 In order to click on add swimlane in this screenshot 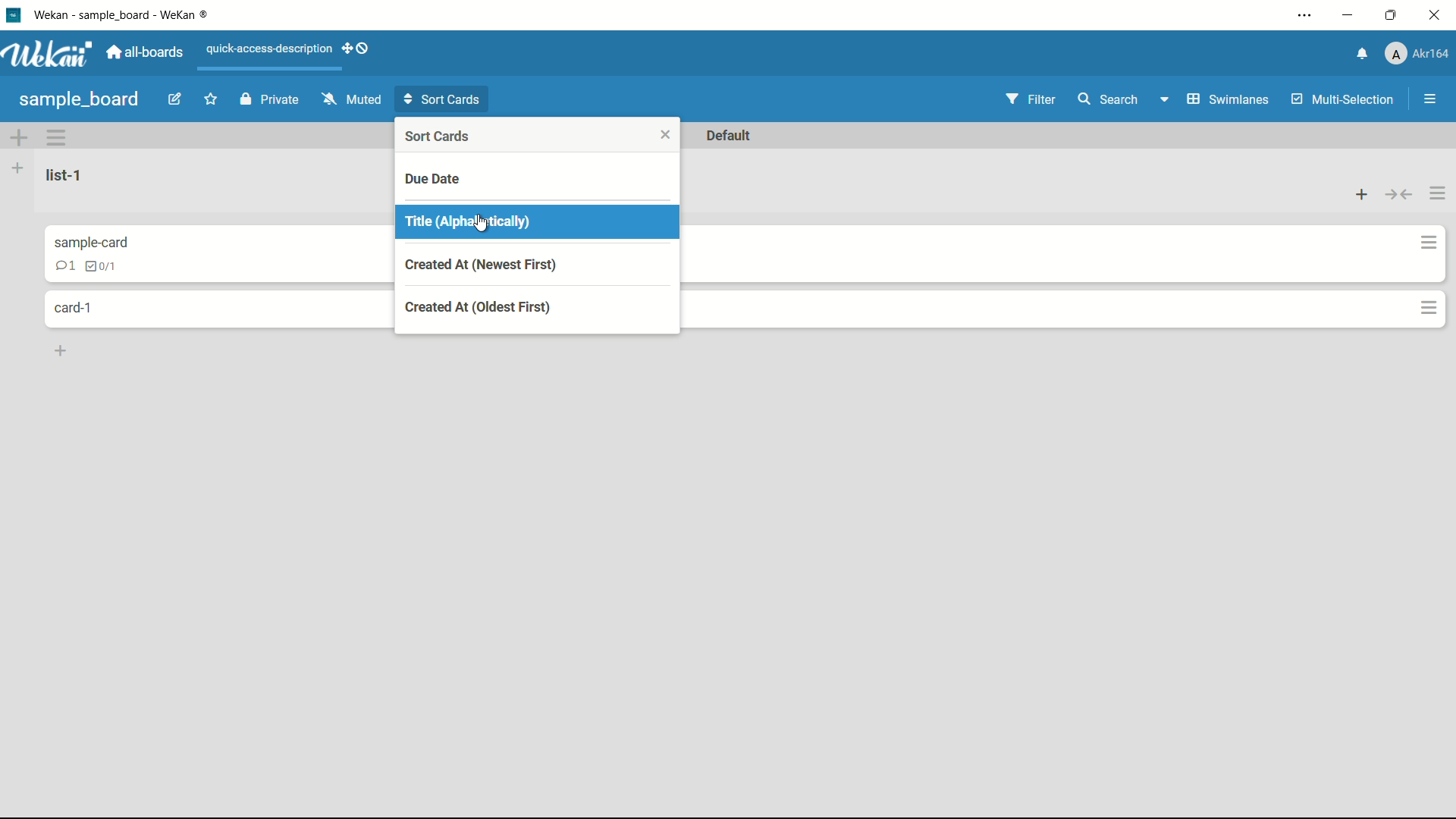, I will do `click(19, 136)`.